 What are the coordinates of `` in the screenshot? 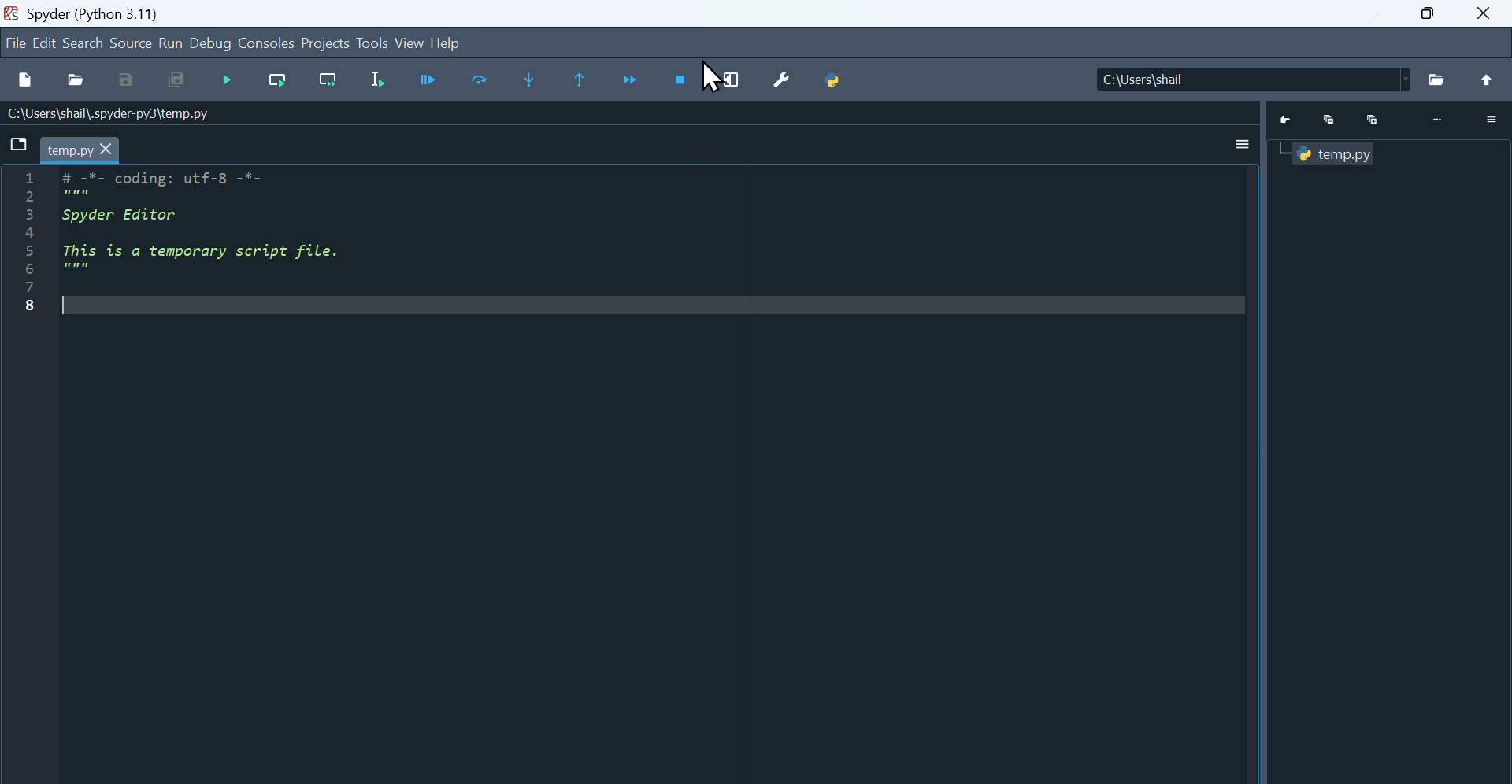 It's located at (226, 83).